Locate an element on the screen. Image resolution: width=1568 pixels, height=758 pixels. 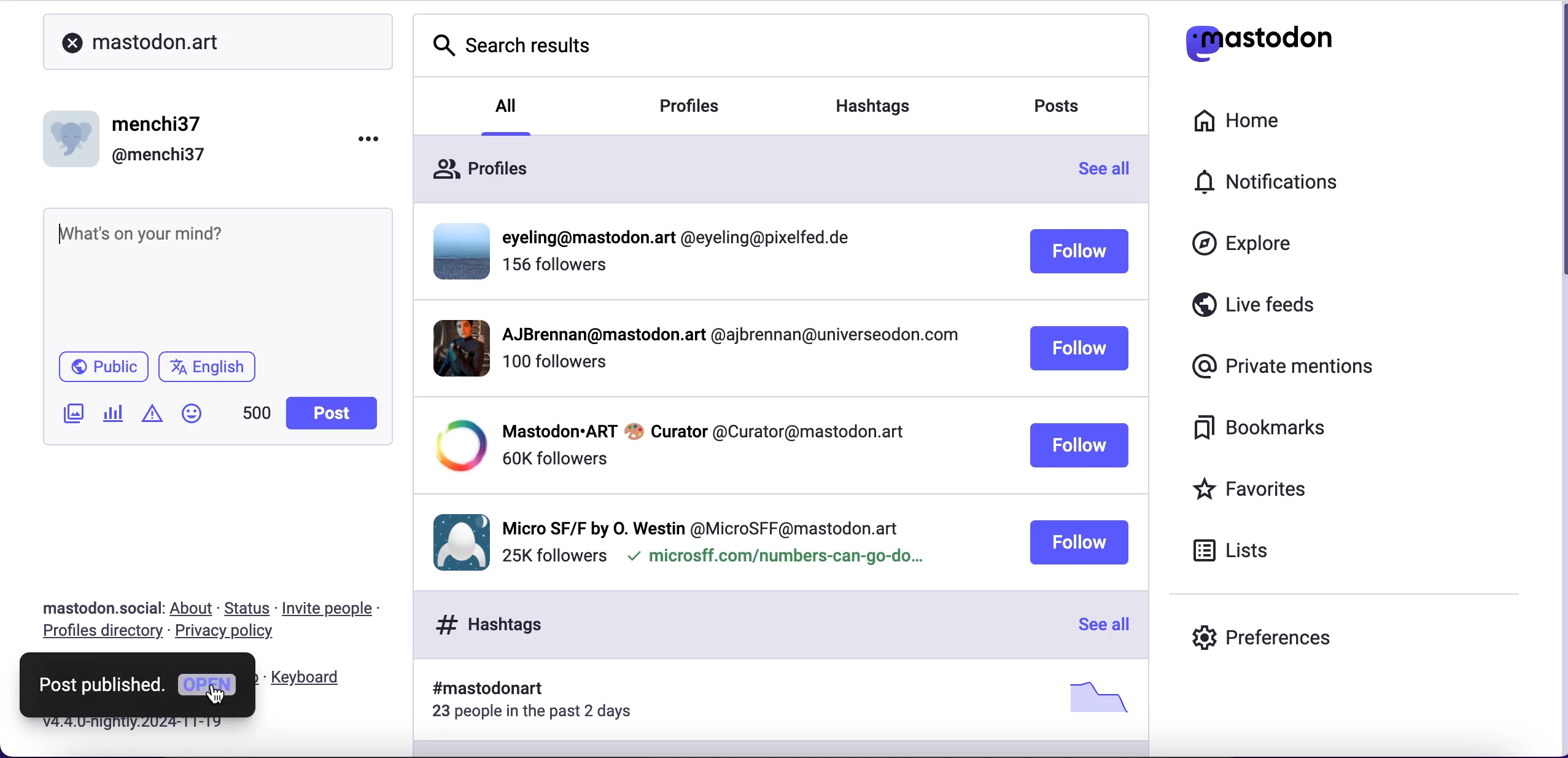
profiles directory is located at coordinates (101, 635).